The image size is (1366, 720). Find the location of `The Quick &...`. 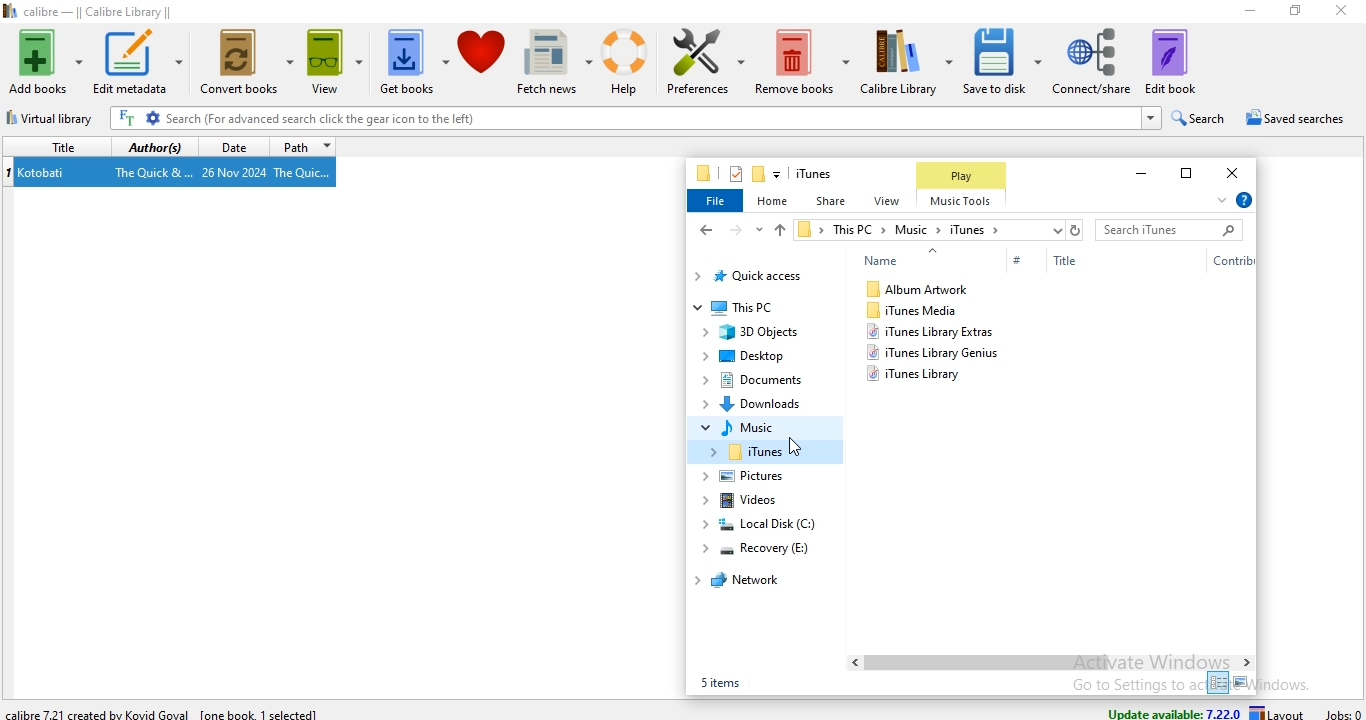

The Quick &... is located at coordinates (152, 173).